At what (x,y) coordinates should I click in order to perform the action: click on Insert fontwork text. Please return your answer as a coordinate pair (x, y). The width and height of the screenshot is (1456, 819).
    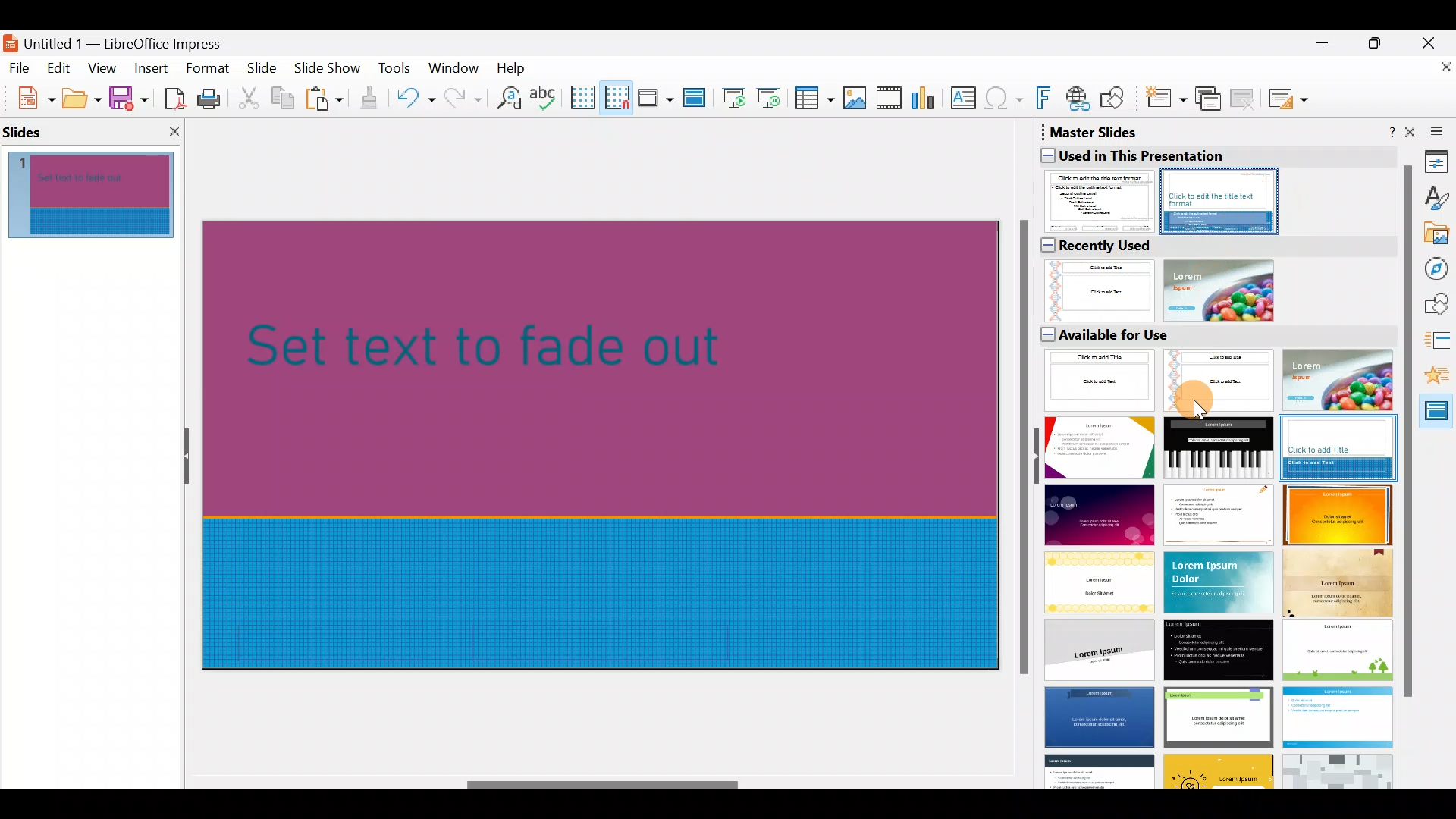
    Looking at the image, I should click on (1046, 101).